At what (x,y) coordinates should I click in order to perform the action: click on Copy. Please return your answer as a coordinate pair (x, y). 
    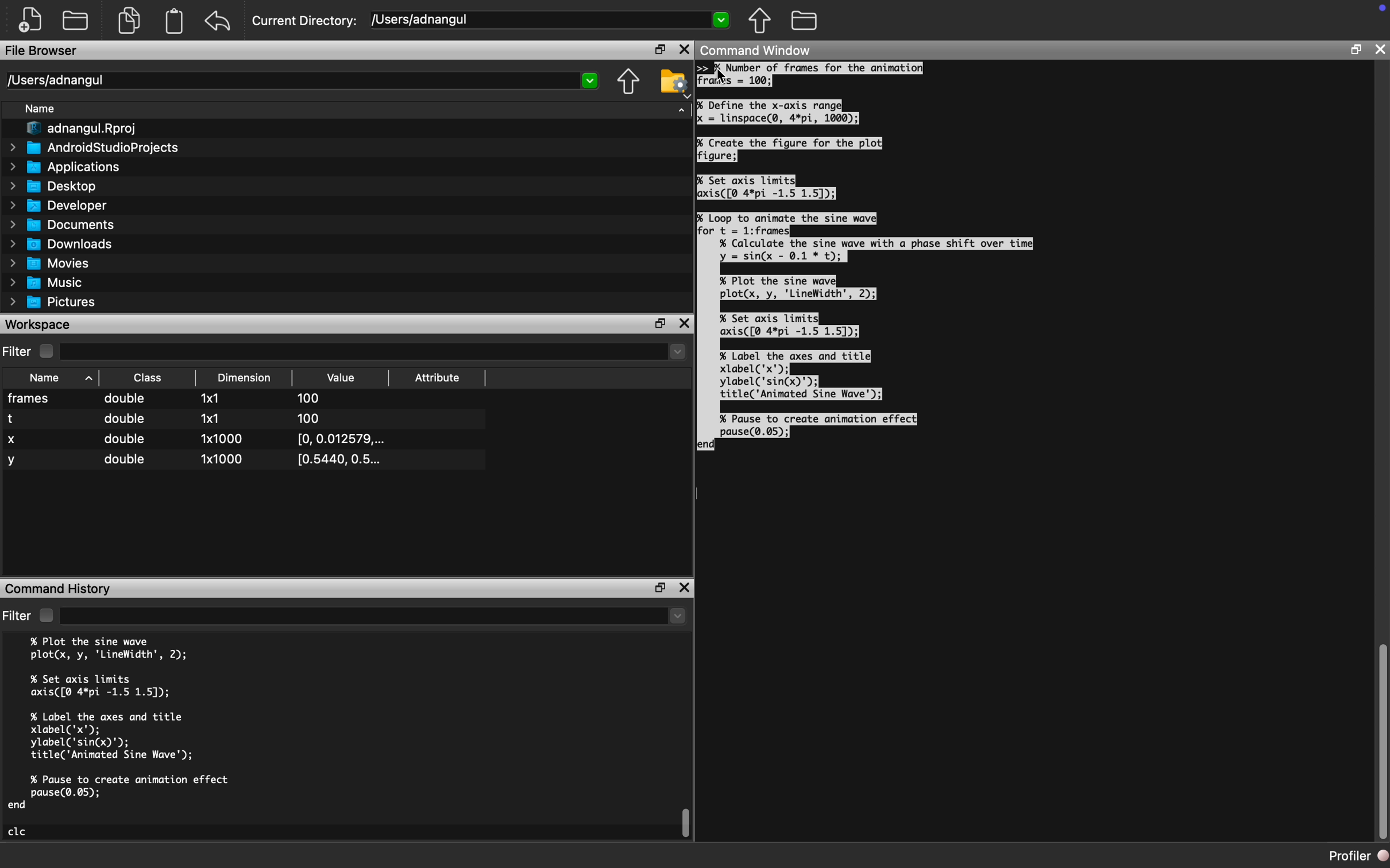
    Looking at the image, I should click on (129, 23).